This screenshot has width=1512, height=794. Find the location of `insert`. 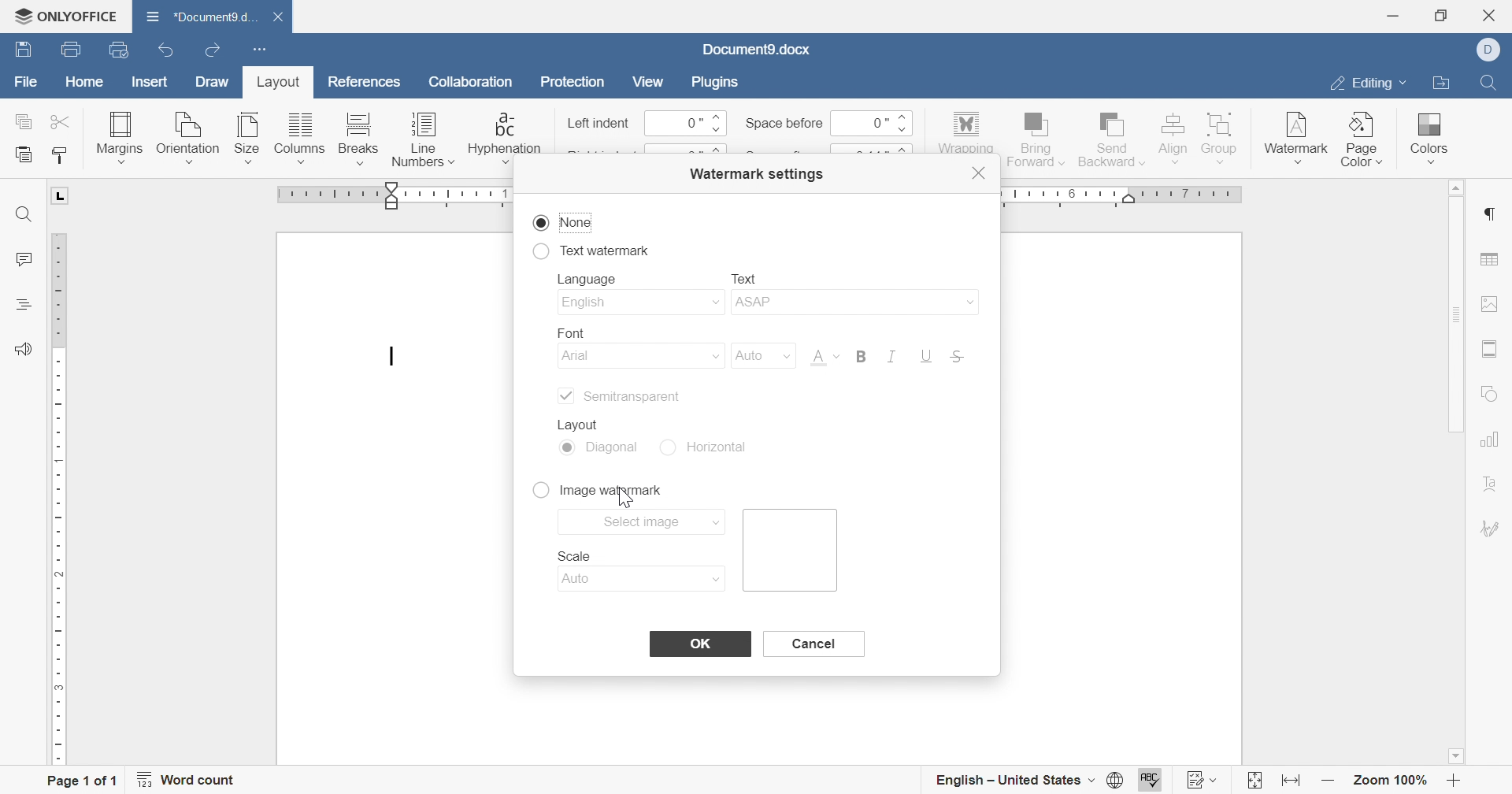

insert is located at coordinates (146, 83).